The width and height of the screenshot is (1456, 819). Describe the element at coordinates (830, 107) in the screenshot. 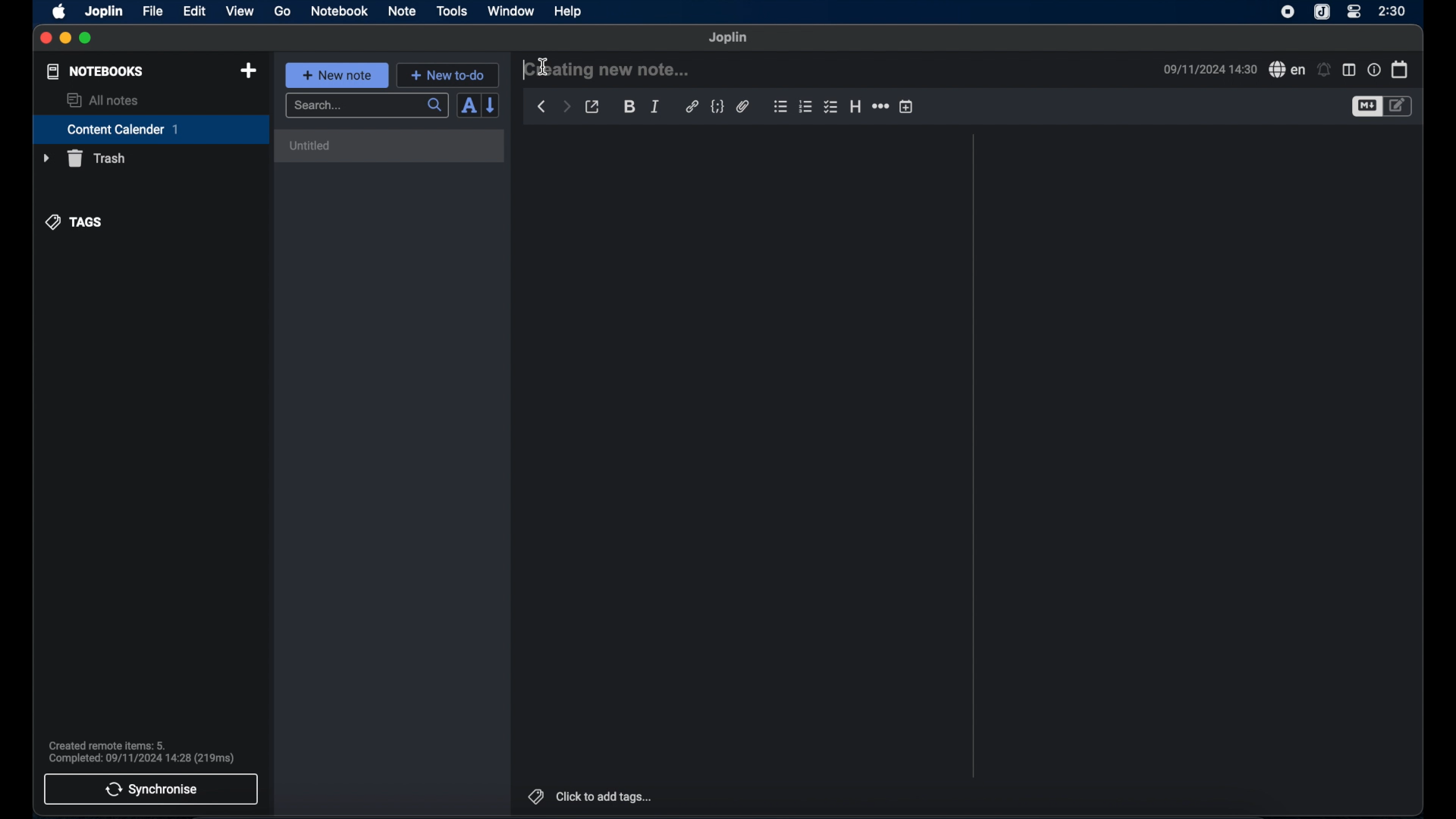

I see `checklist` at that location.